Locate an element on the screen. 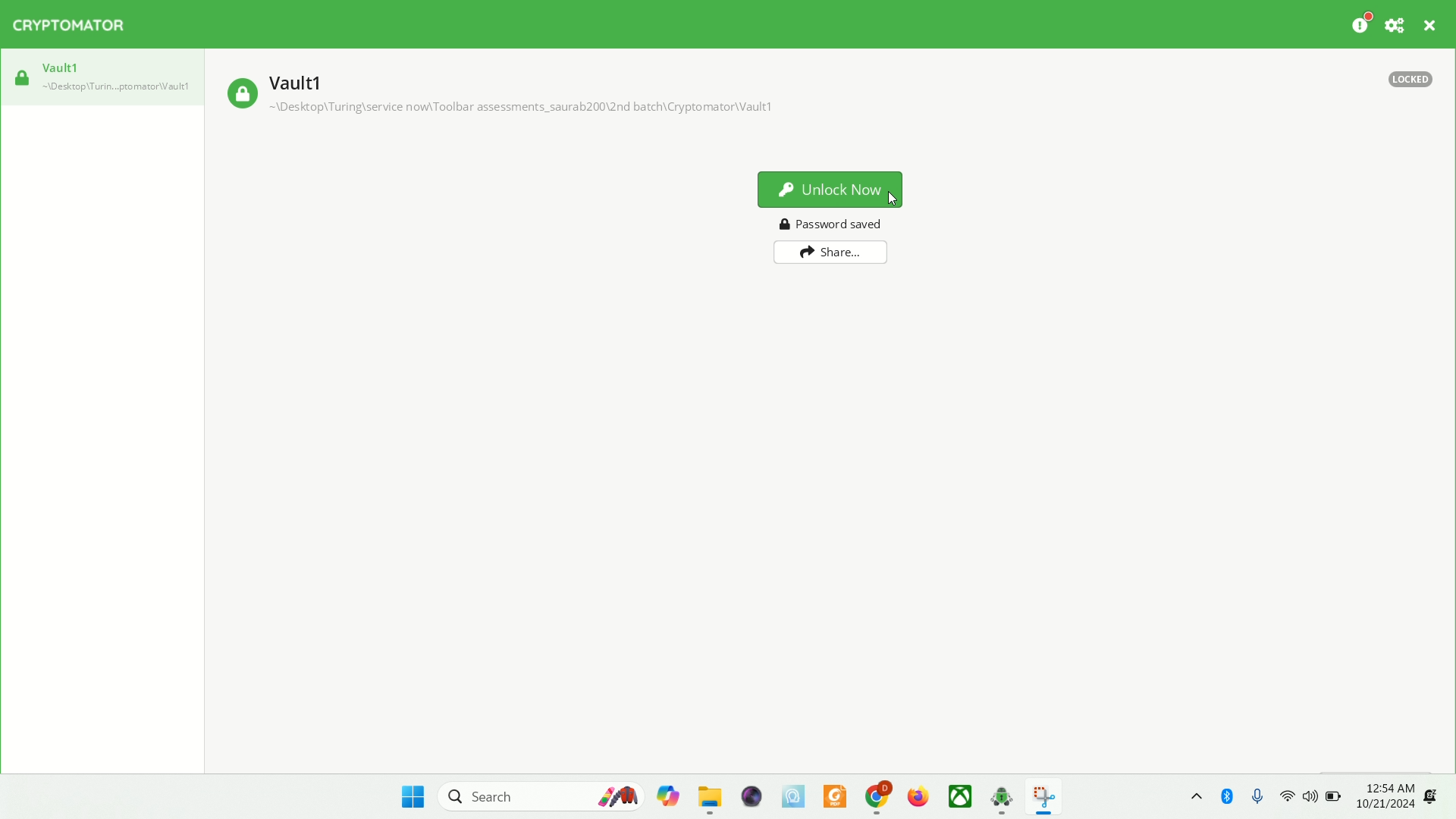  vault1 is located at coordinates (304, 81).